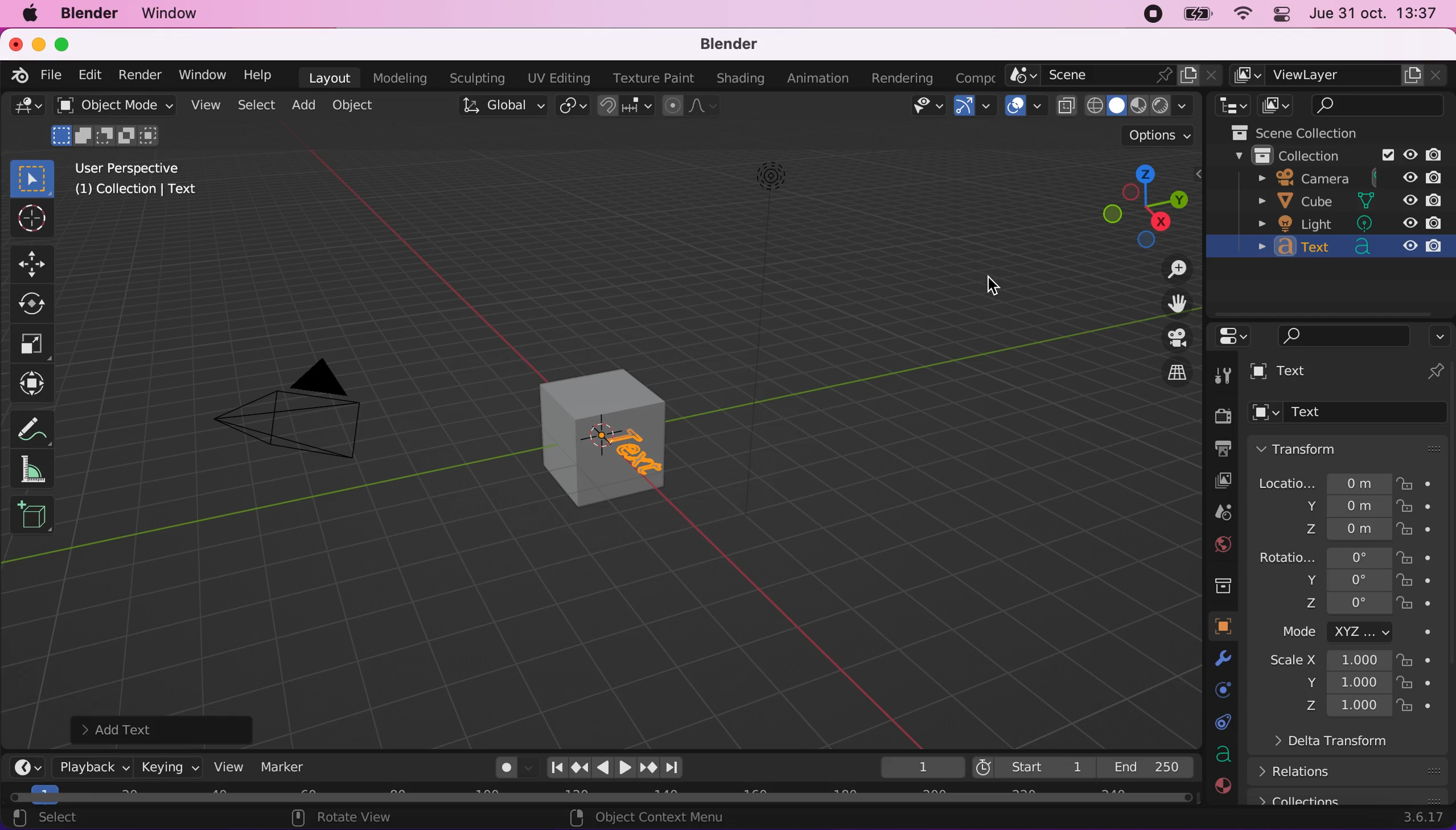  I want to click on wifi, so click(1241, 14).